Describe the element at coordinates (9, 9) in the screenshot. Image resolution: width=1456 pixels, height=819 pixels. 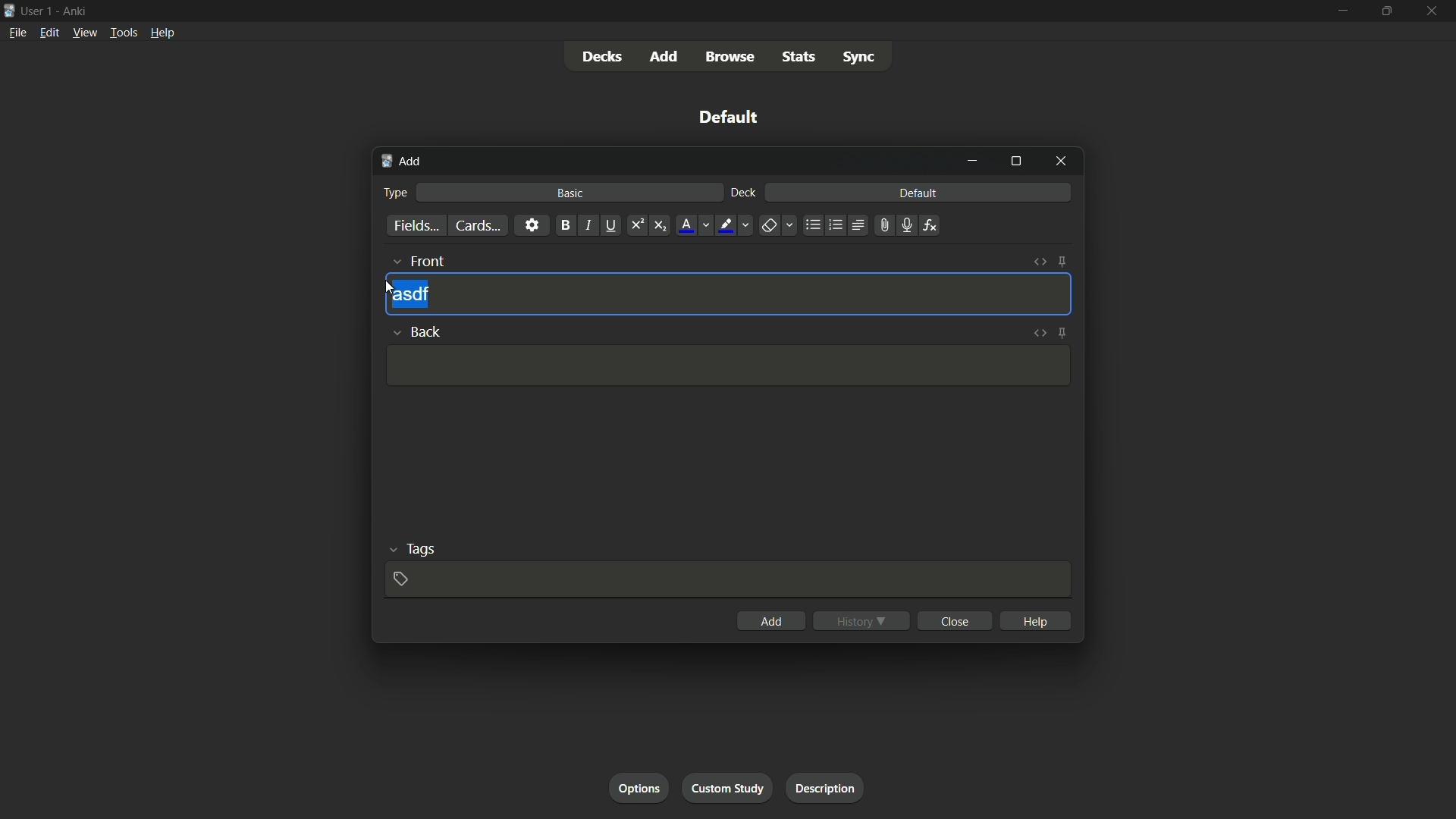
I see `icon` at that location.